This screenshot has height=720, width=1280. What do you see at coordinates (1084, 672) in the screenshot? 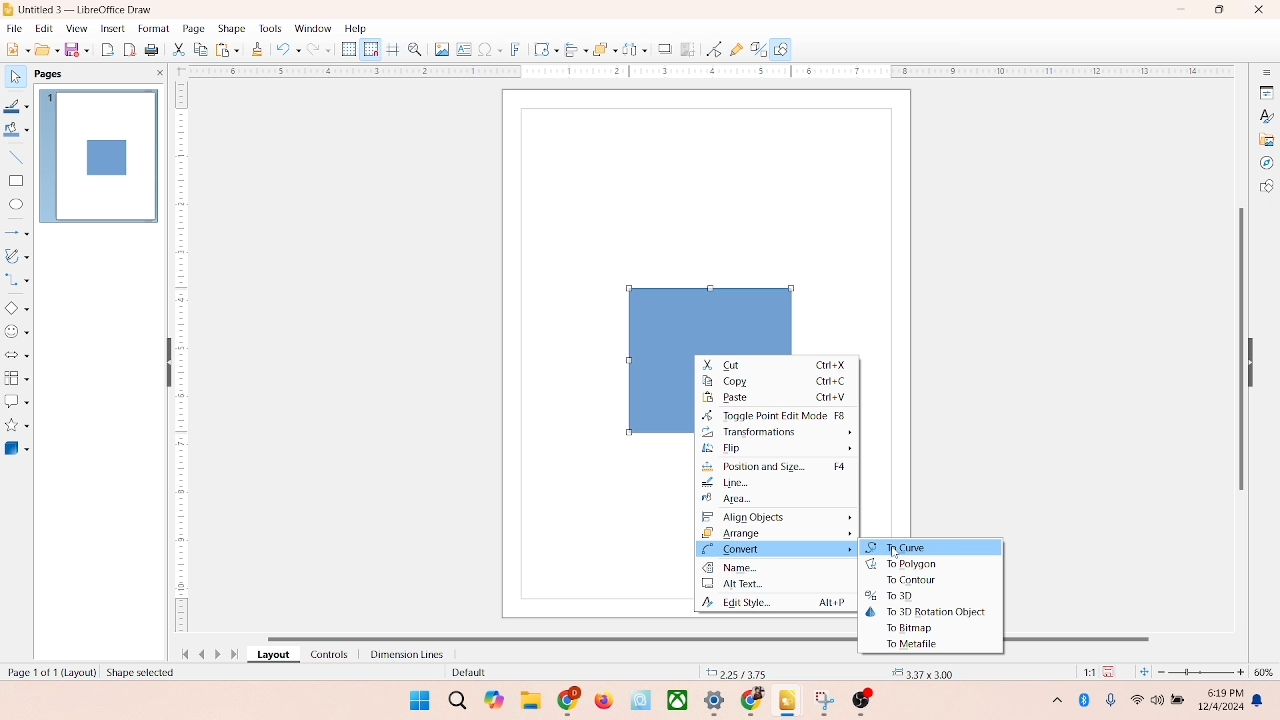
I see `scaling factor` at bounding box center [1084, 672].